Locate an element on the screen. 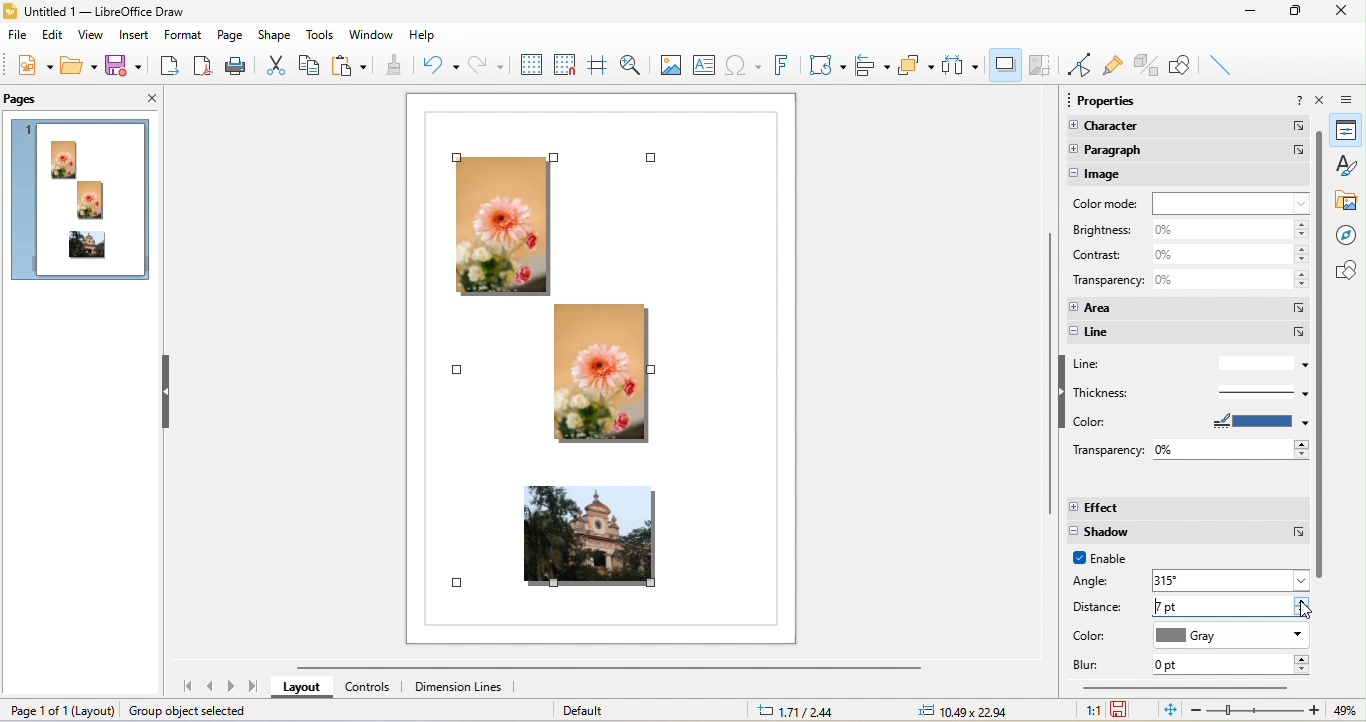  thickness is located at coordinates (1185, 392).